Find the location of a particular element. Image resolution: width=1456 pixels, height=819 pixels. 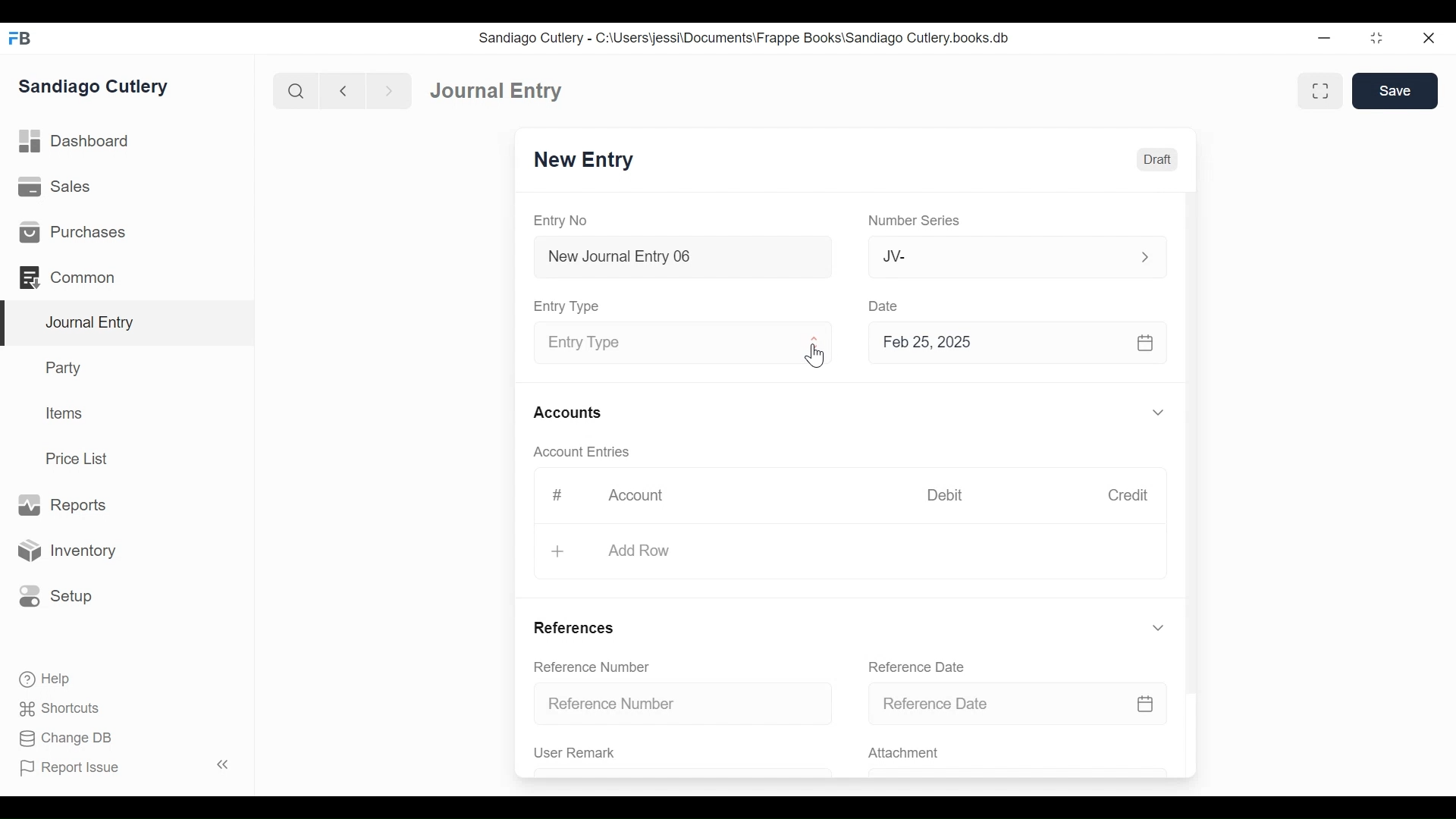

Number Series is located at coordinates (917, 221).